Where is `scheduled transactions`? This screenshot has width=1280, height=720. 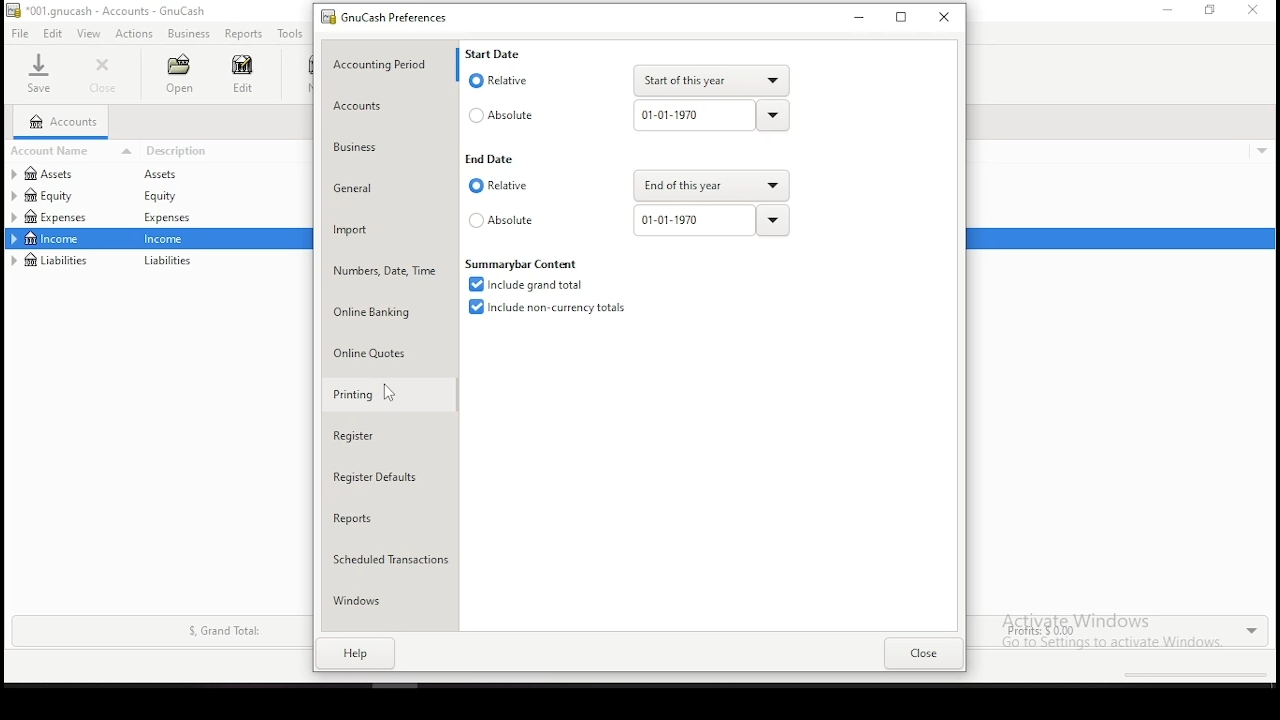 scheduled transactions is located at coordinates (393, 560).